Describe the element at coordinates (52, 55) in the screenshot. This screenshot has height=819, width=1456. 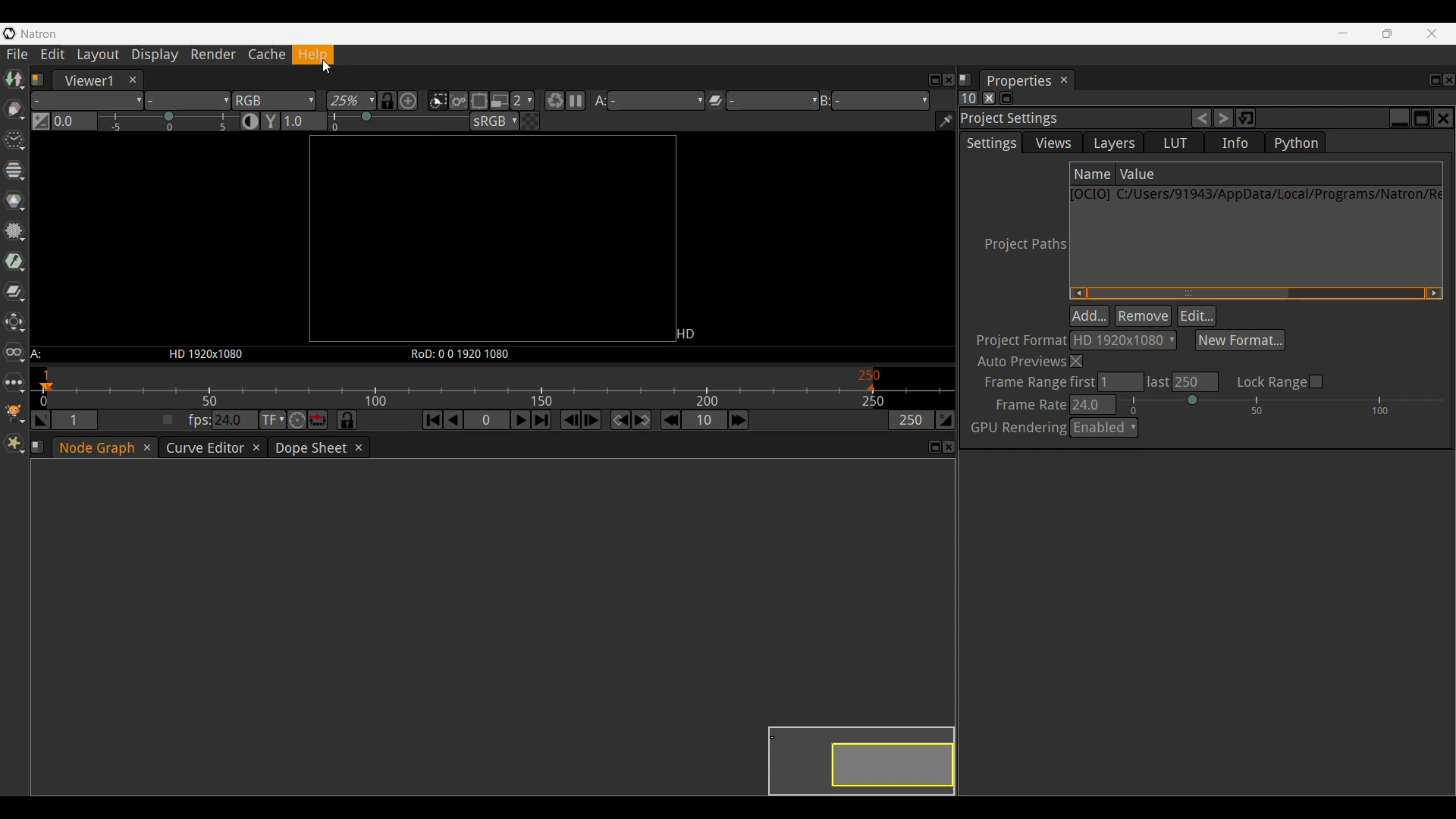
I see `Edit menu` at that location.